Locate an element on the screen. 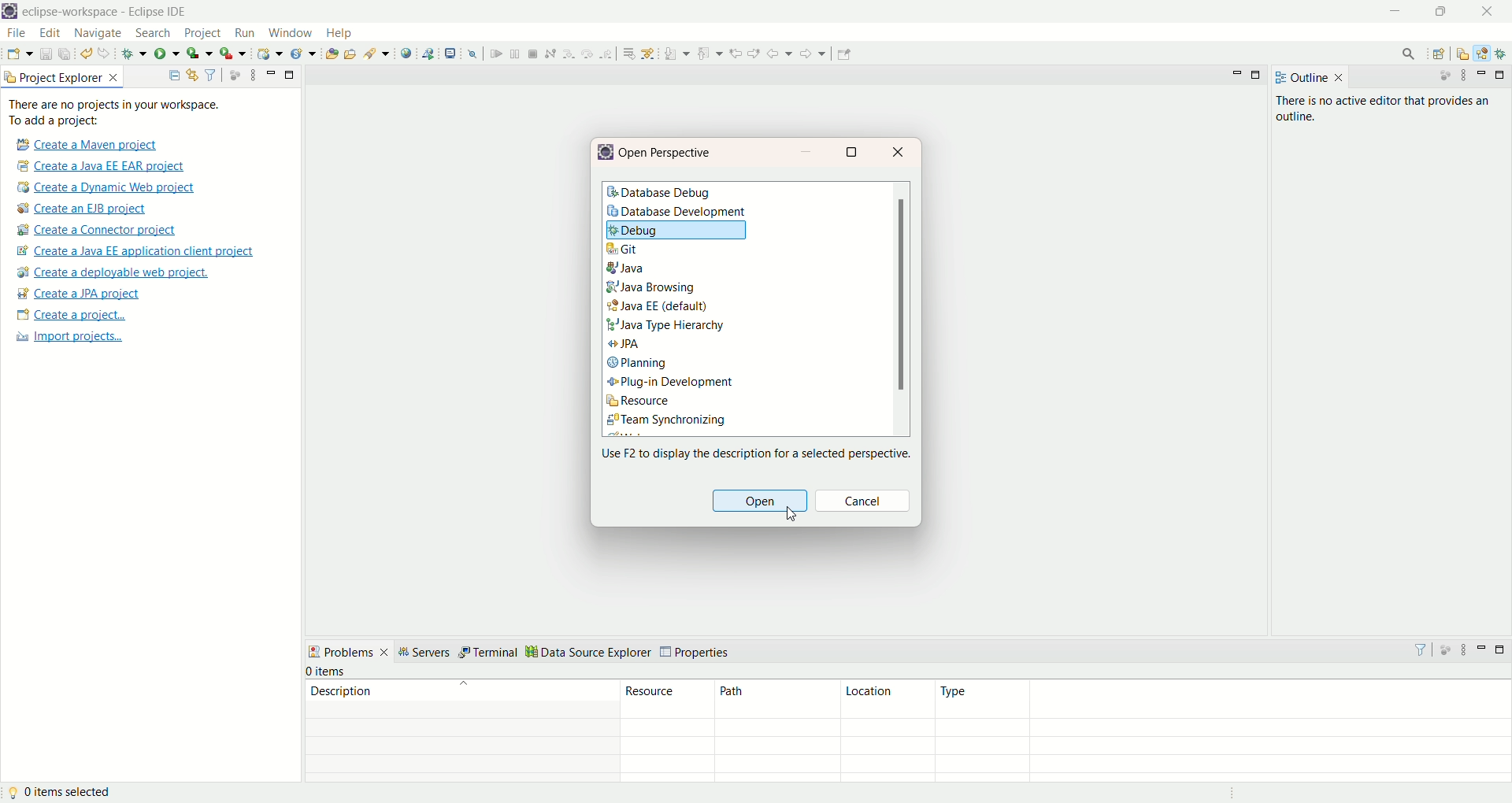 This screenshot has width=1512, height=803. git is located at coordinates (622, 249).